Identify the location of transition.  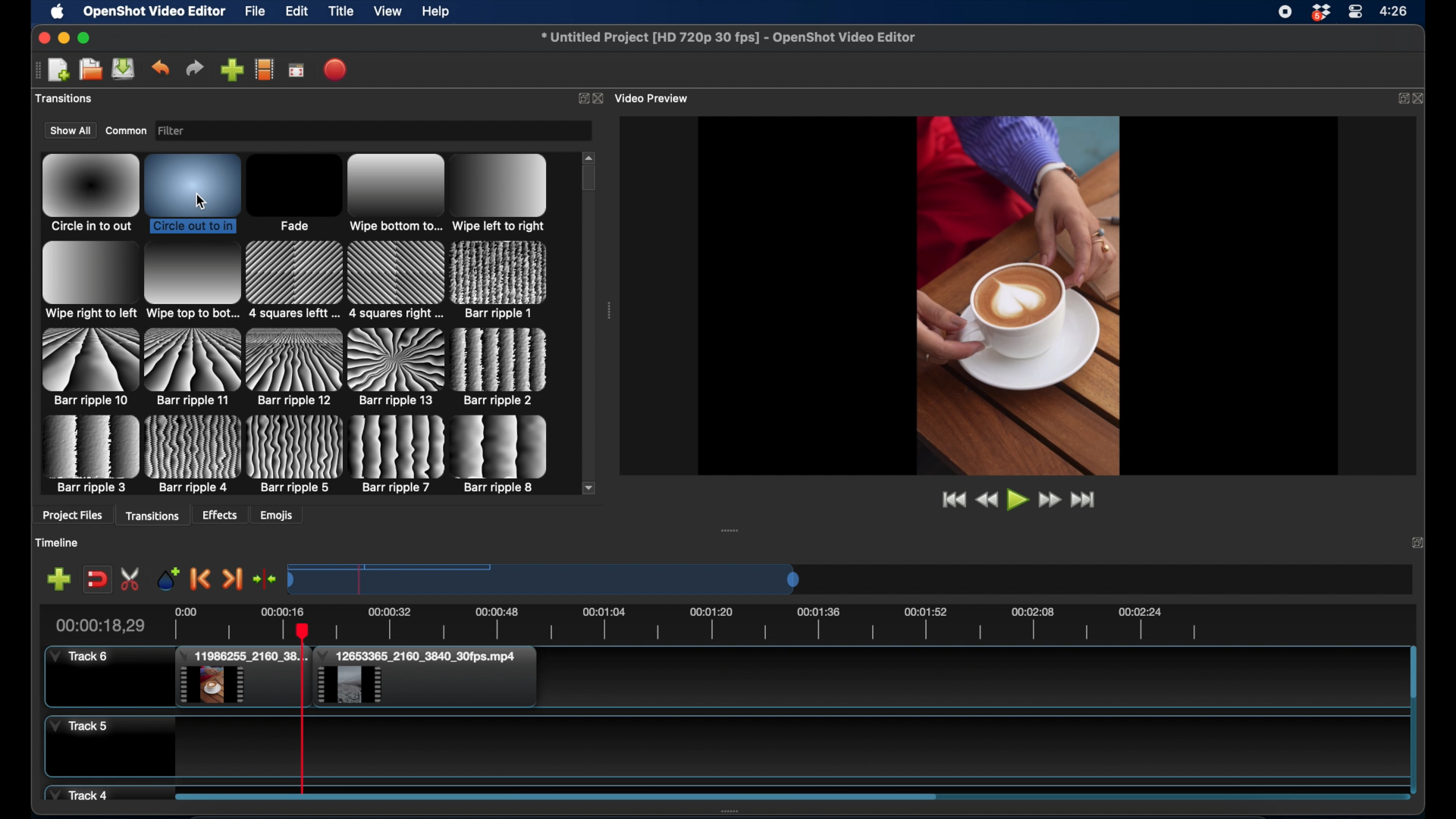
(502, 454).